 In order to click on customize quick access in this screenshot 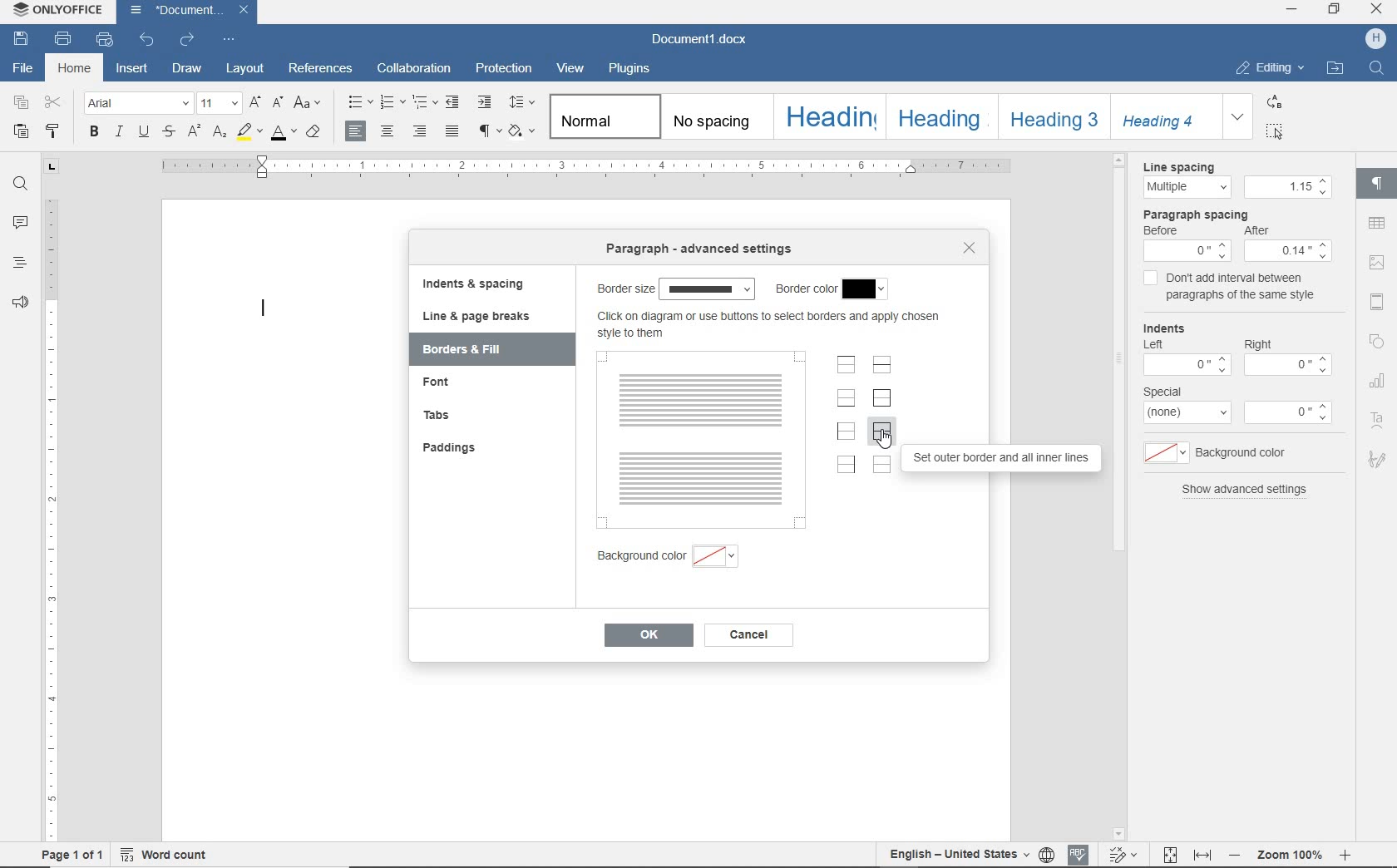, I will do `click(230, 39)`.